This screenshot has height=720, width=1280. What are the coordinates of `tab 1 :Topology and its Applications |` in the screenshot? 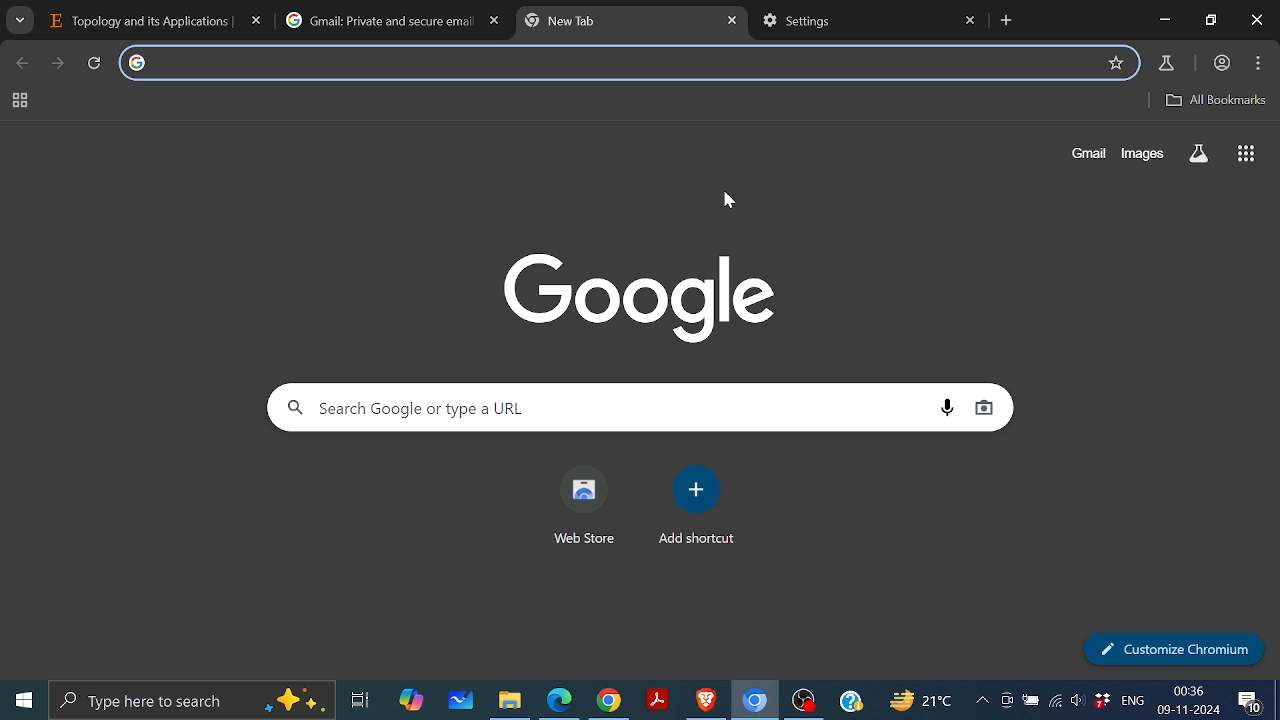 It's located at (138, 20).